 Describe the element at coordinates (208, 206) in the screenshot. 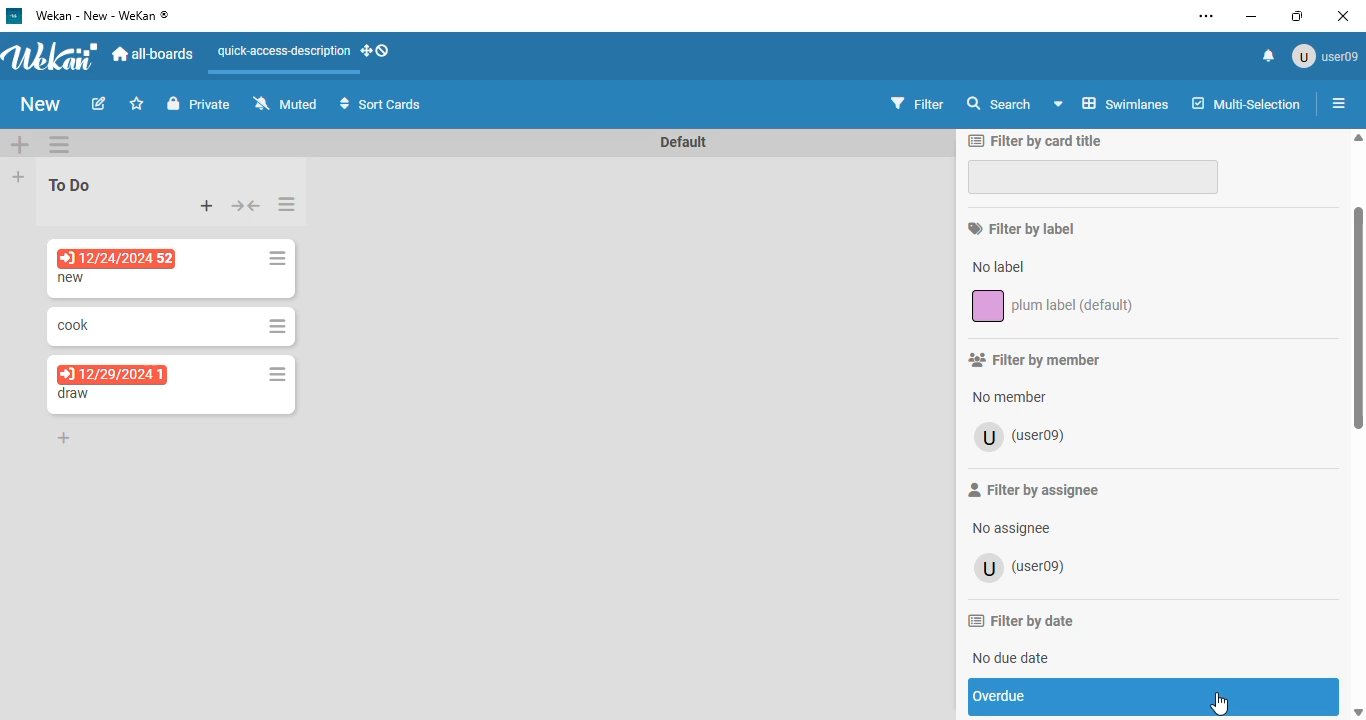

I see `add card to top of the list` at that location.